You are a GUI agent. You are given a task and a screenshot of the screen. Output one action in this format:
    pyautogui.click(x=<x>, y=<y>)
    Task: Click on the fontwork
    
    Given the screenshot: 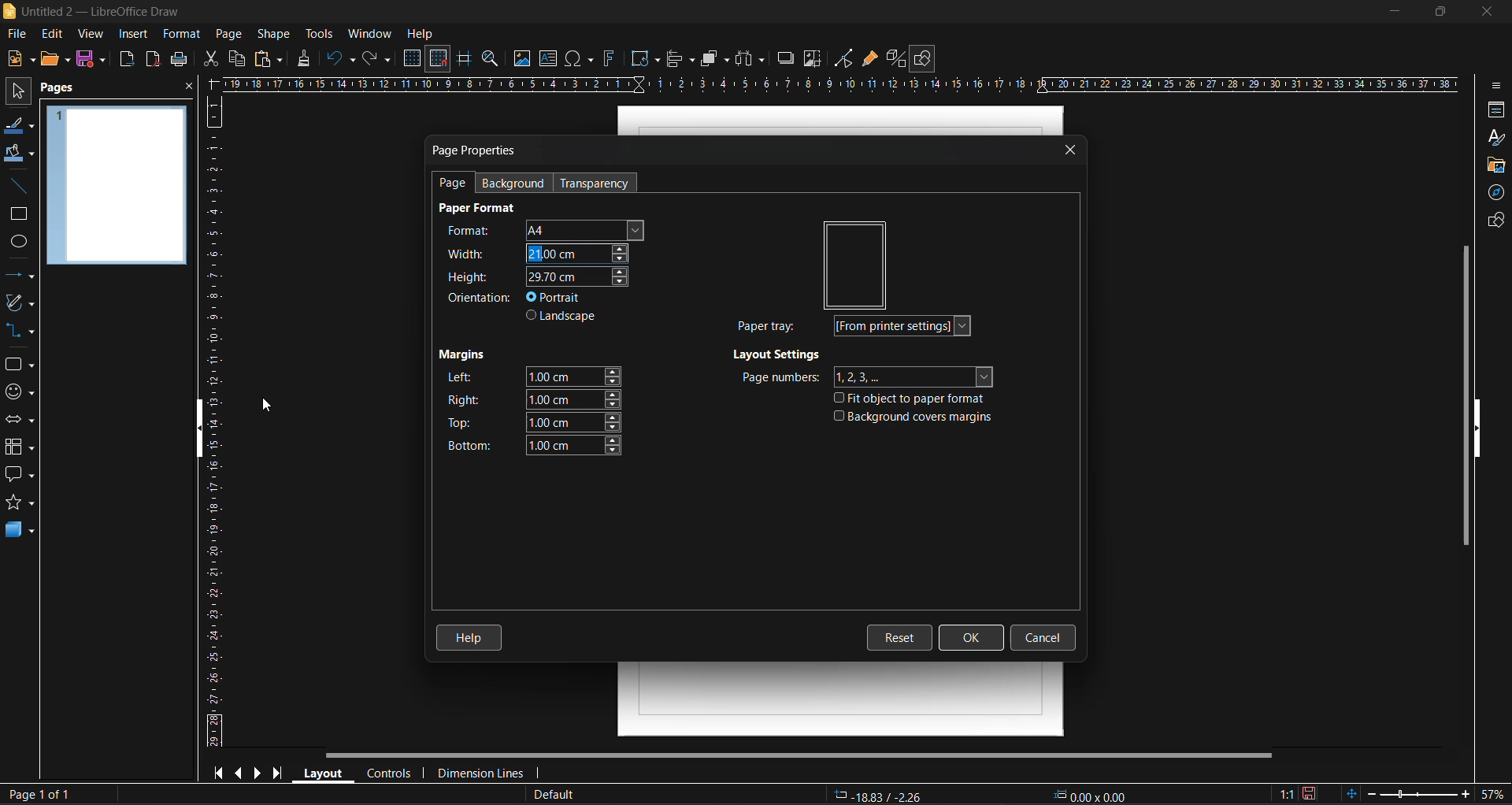 What is the action you would take?
    pyautogui.click(x=609, y=61)
    